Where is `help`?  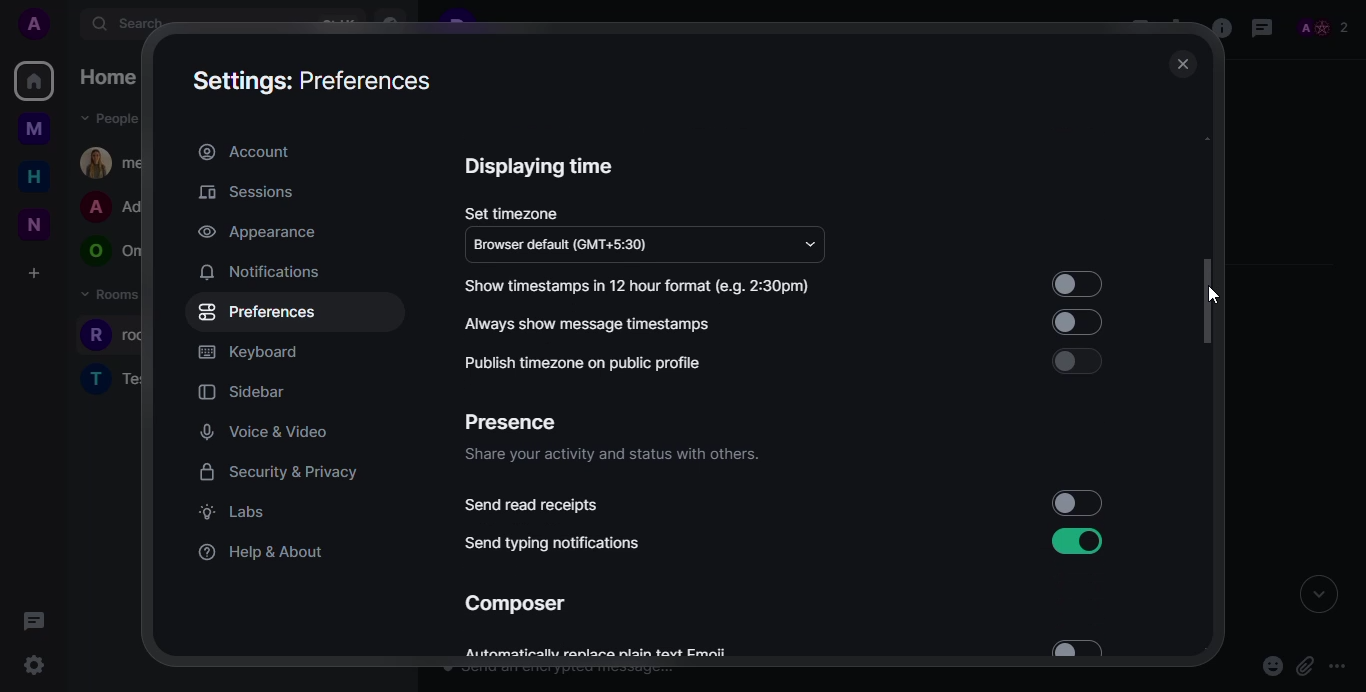
help is located at coordinates (263, 549).